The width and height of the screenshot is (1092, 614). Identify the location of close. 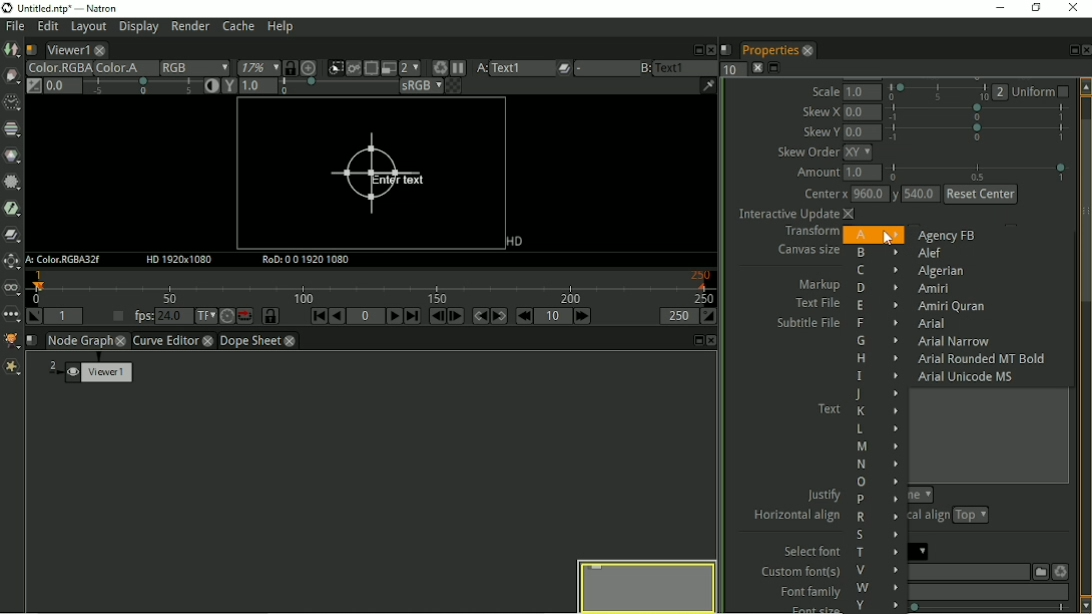
(807, 50).